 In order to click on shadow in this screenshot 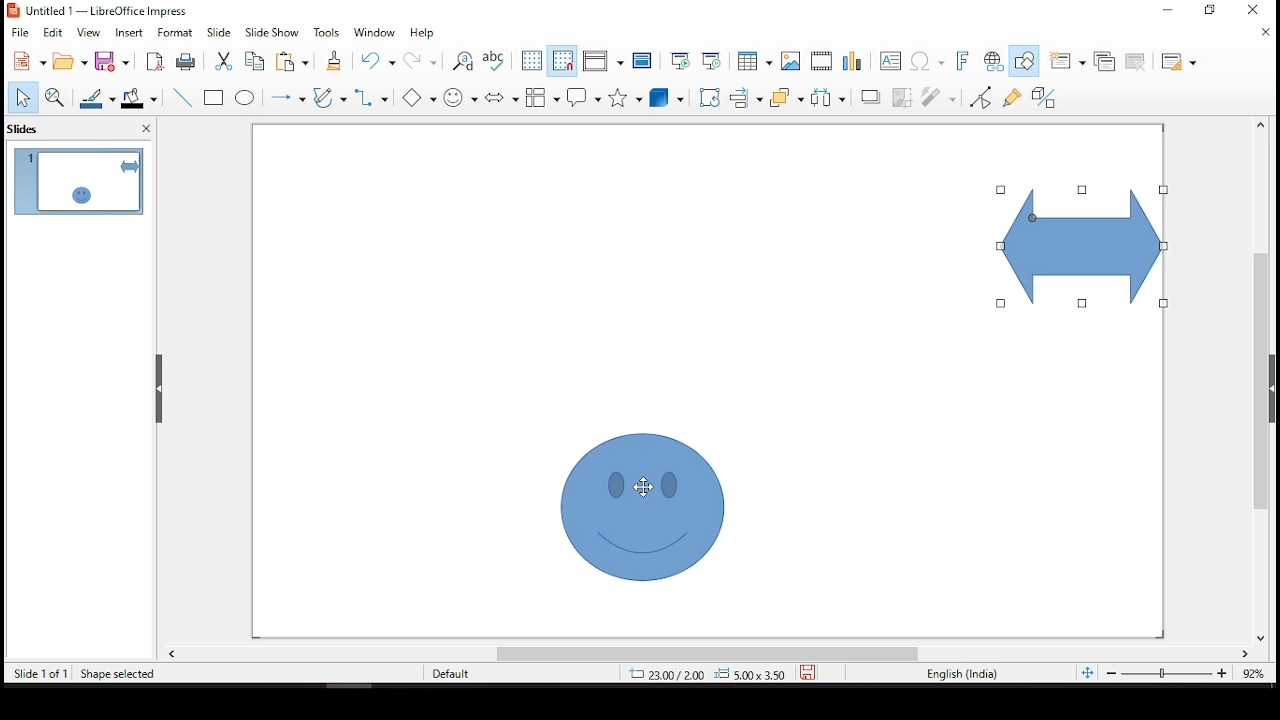, I will do `click(867, 98)`.